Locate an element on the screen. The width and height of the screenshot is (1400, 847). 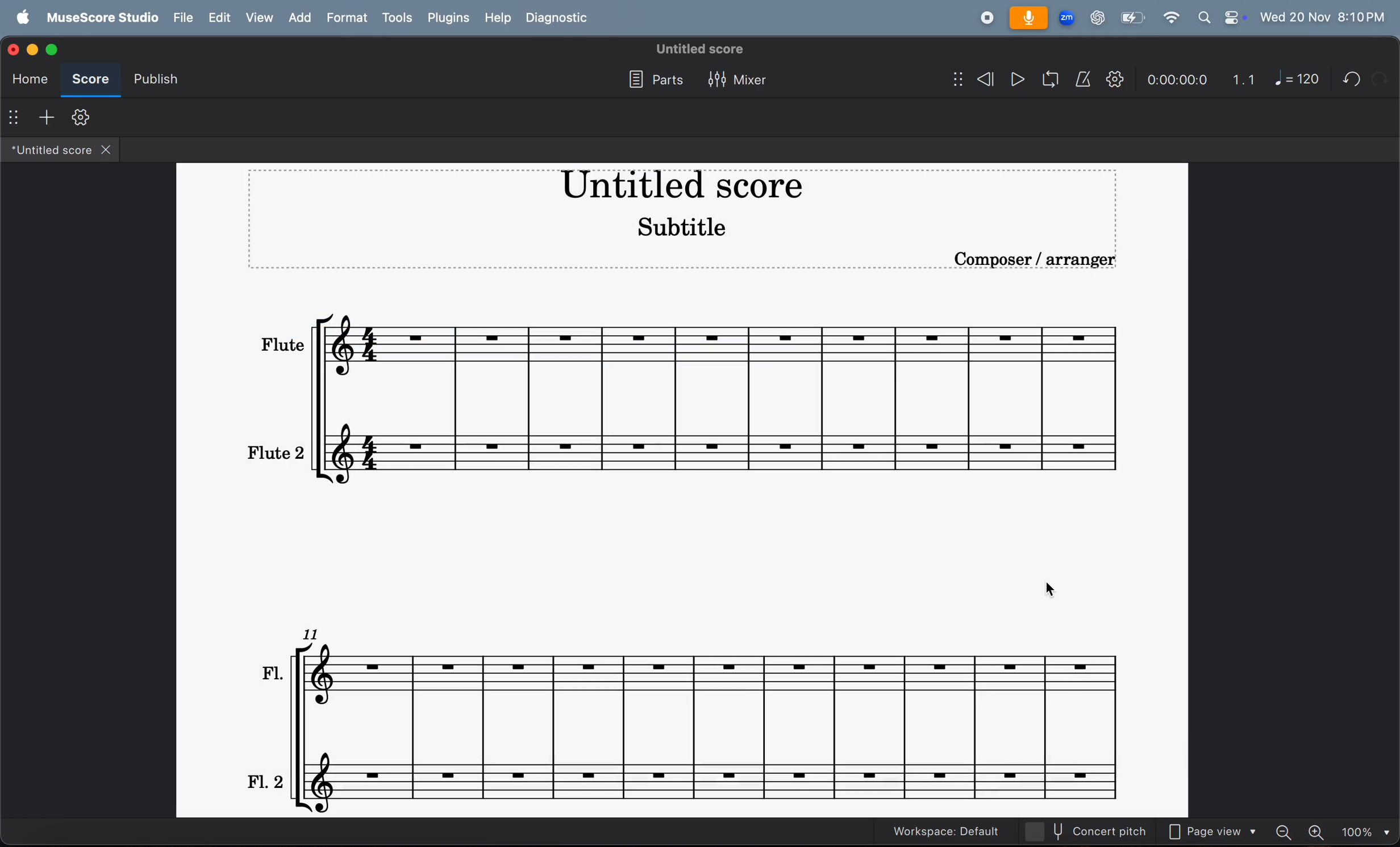
add is located at coordinates (48, 117).